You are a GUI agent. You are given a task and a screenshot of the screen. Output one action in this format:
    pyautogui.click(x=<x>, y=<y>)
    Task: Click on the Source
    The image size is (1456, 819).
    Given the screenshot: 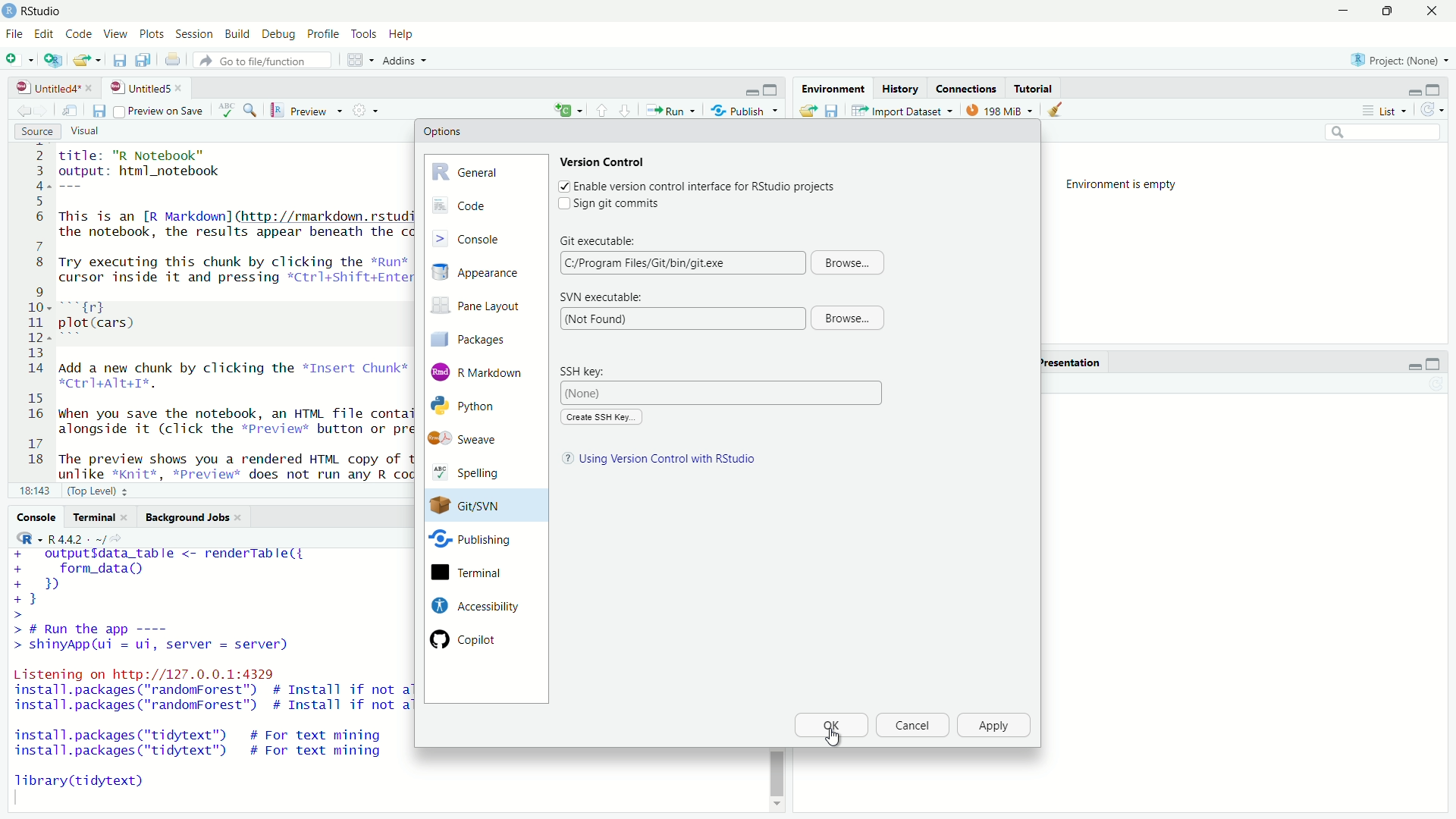 What is the action you would take?
    pyautogui.click(x=38, y=132)
    